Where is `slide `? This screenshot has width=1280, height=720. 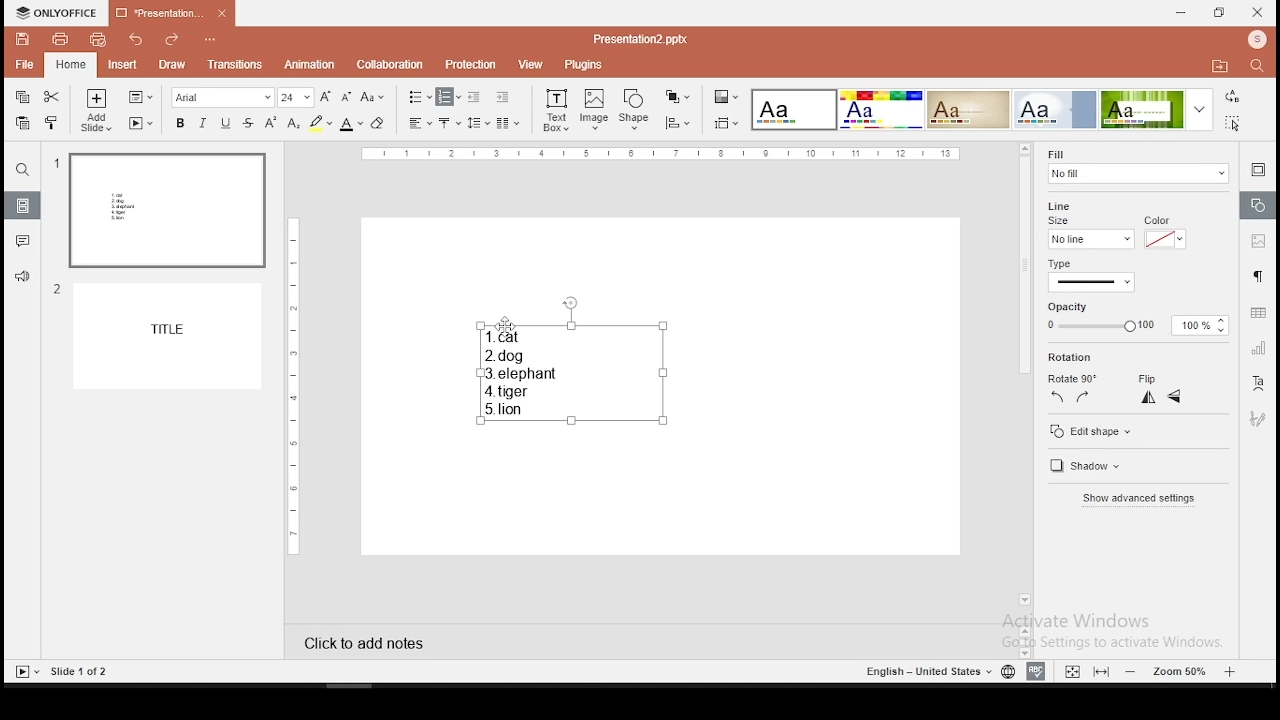
slide  is located at coordinates (172, 337).